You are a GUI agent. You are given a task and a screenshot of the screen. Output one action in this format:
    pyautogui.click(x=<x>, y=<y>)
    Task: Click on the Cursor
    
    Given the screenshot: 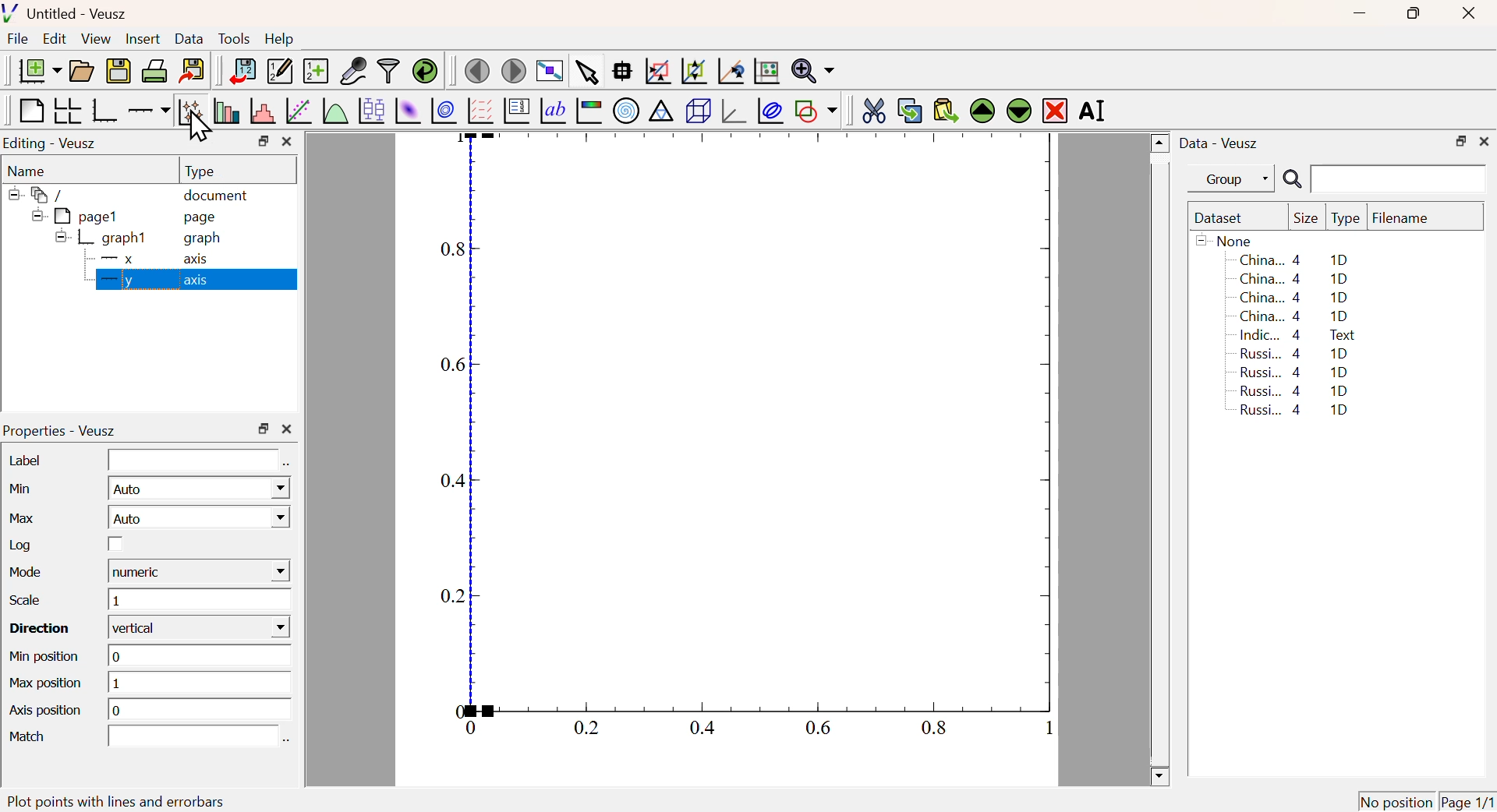 What is the action you would take?
    pyautogui.click(x=202, y=130)
    